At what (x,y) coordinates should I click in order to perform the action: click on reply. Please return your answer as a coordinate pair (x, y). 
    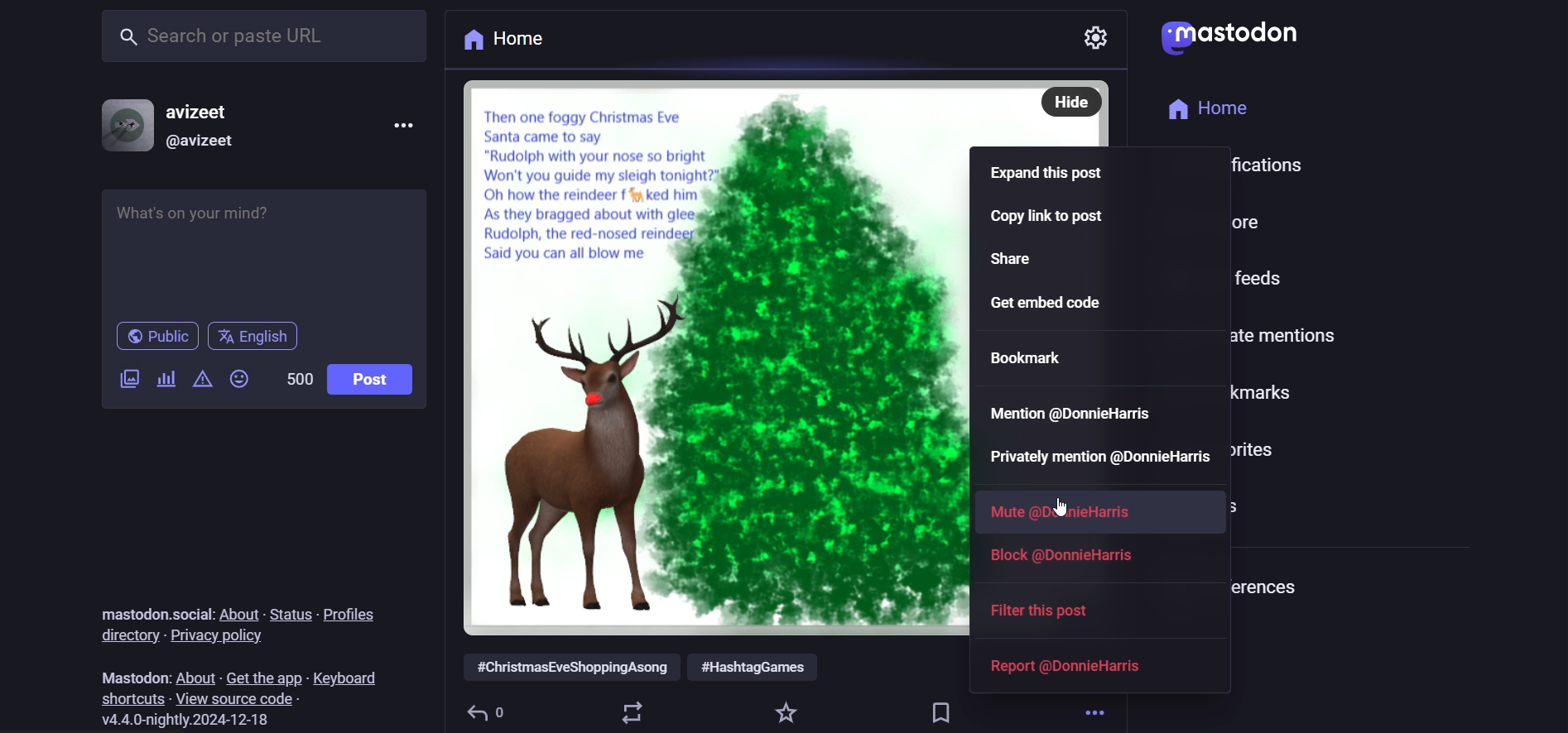
    Looking at the image, I should click on (485, 712).